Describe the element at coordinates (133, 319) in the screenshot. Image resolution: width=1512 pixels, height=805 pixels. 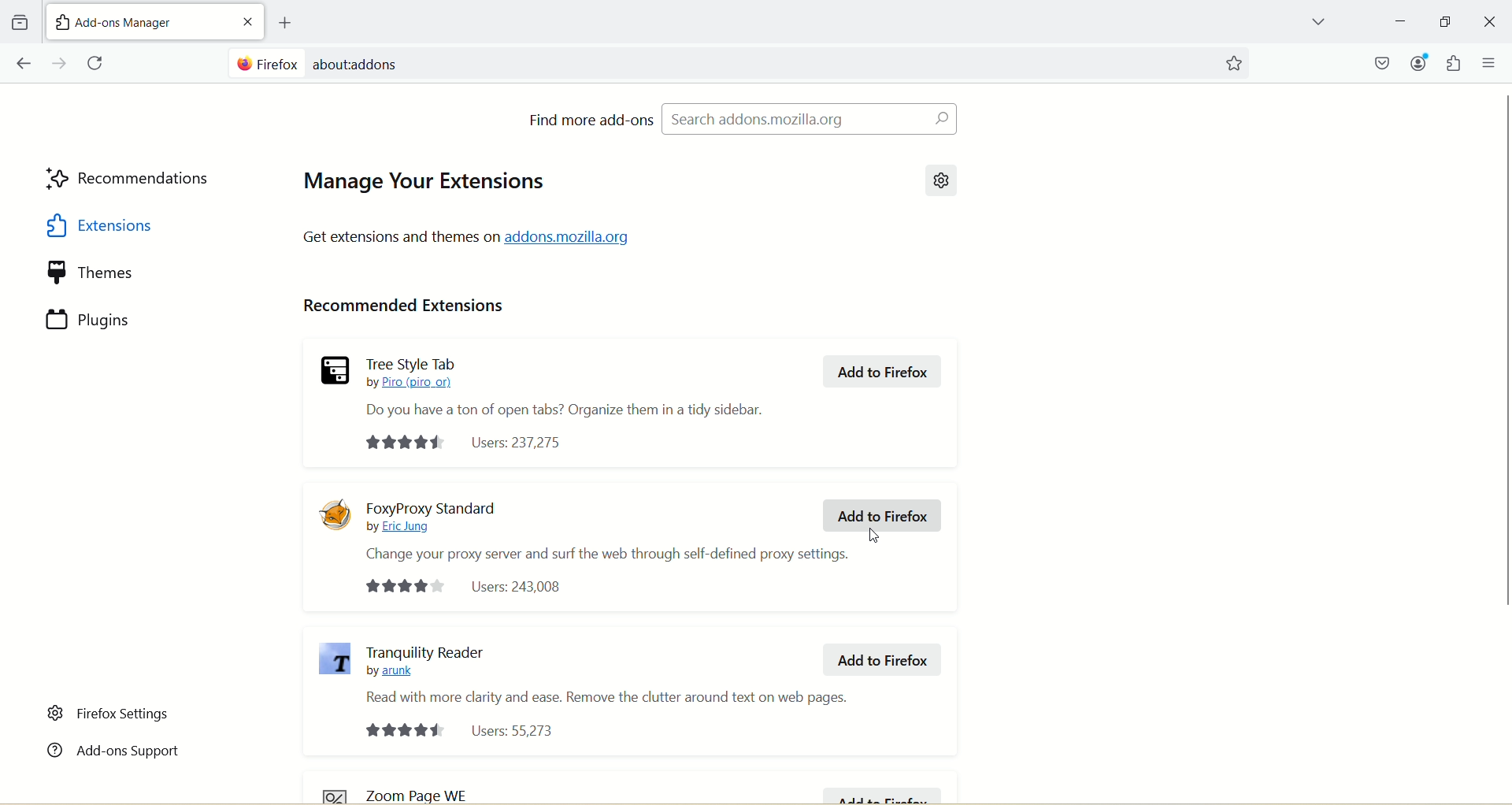
I see `Plugins` at that location.